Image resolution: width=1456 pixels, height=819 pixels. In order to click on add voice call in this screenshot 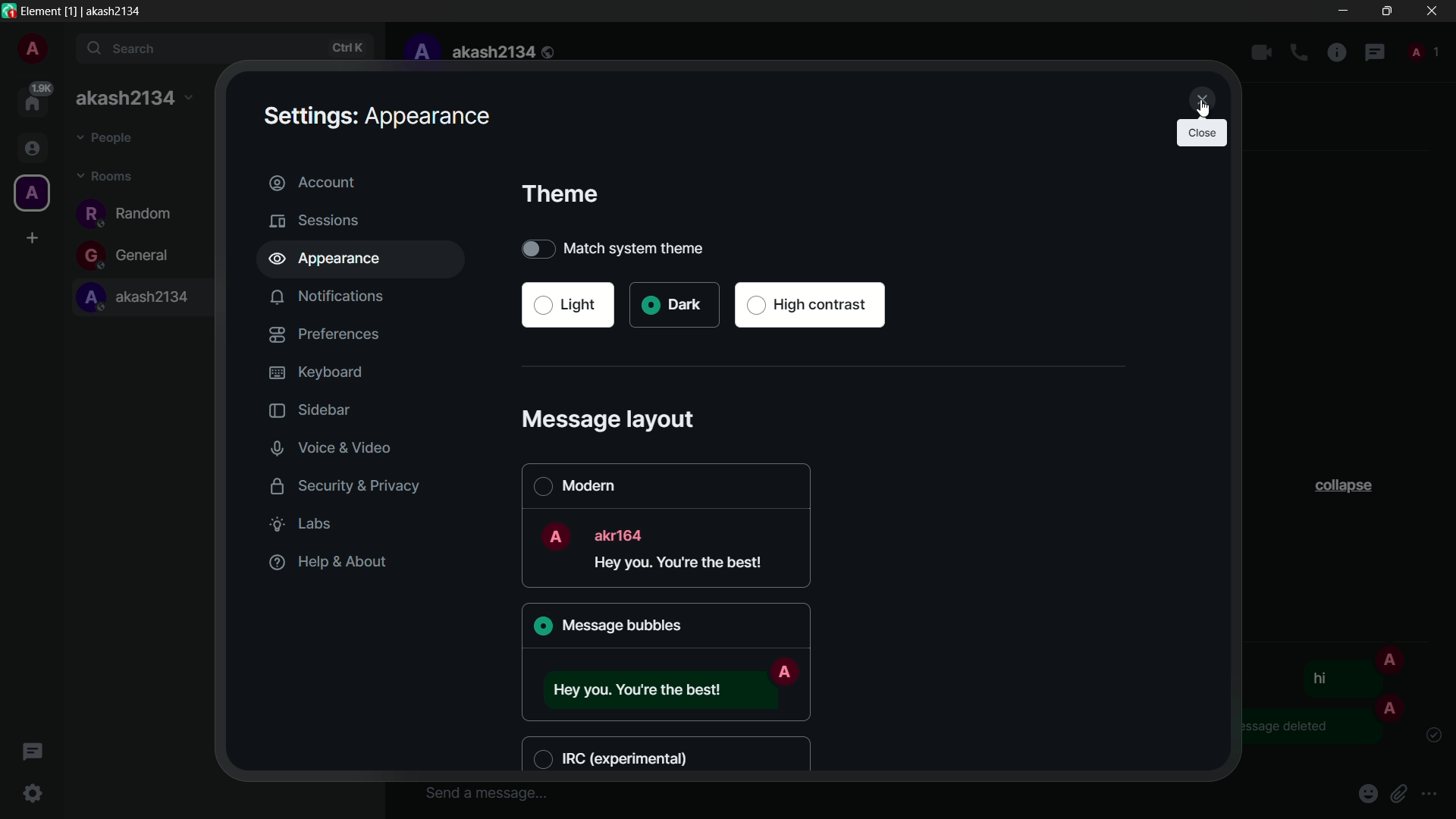, I will do `click(1299, 53)`.